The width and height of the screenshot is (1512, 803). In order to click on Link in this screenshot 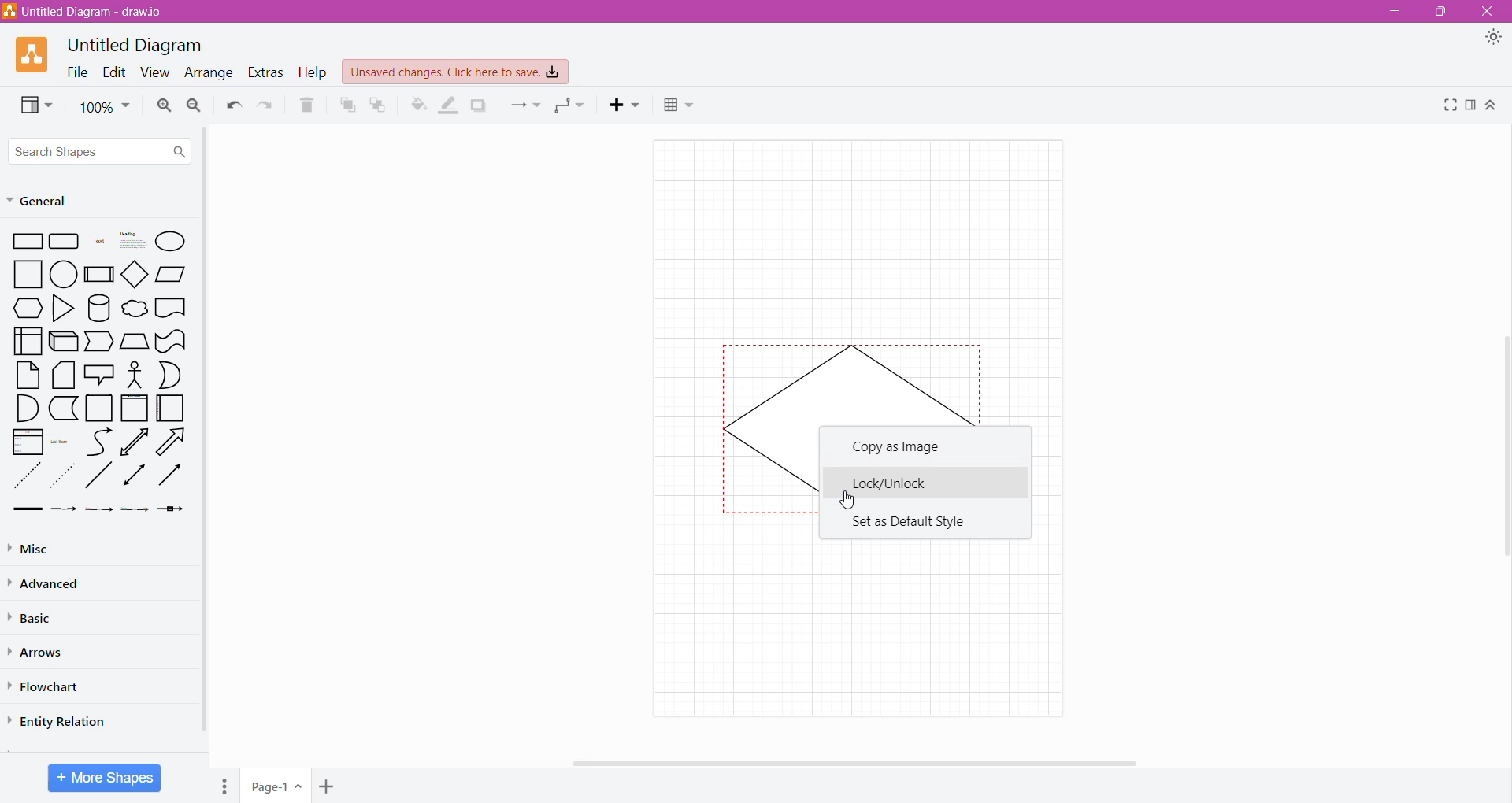, I will do `click(27, 510)`.